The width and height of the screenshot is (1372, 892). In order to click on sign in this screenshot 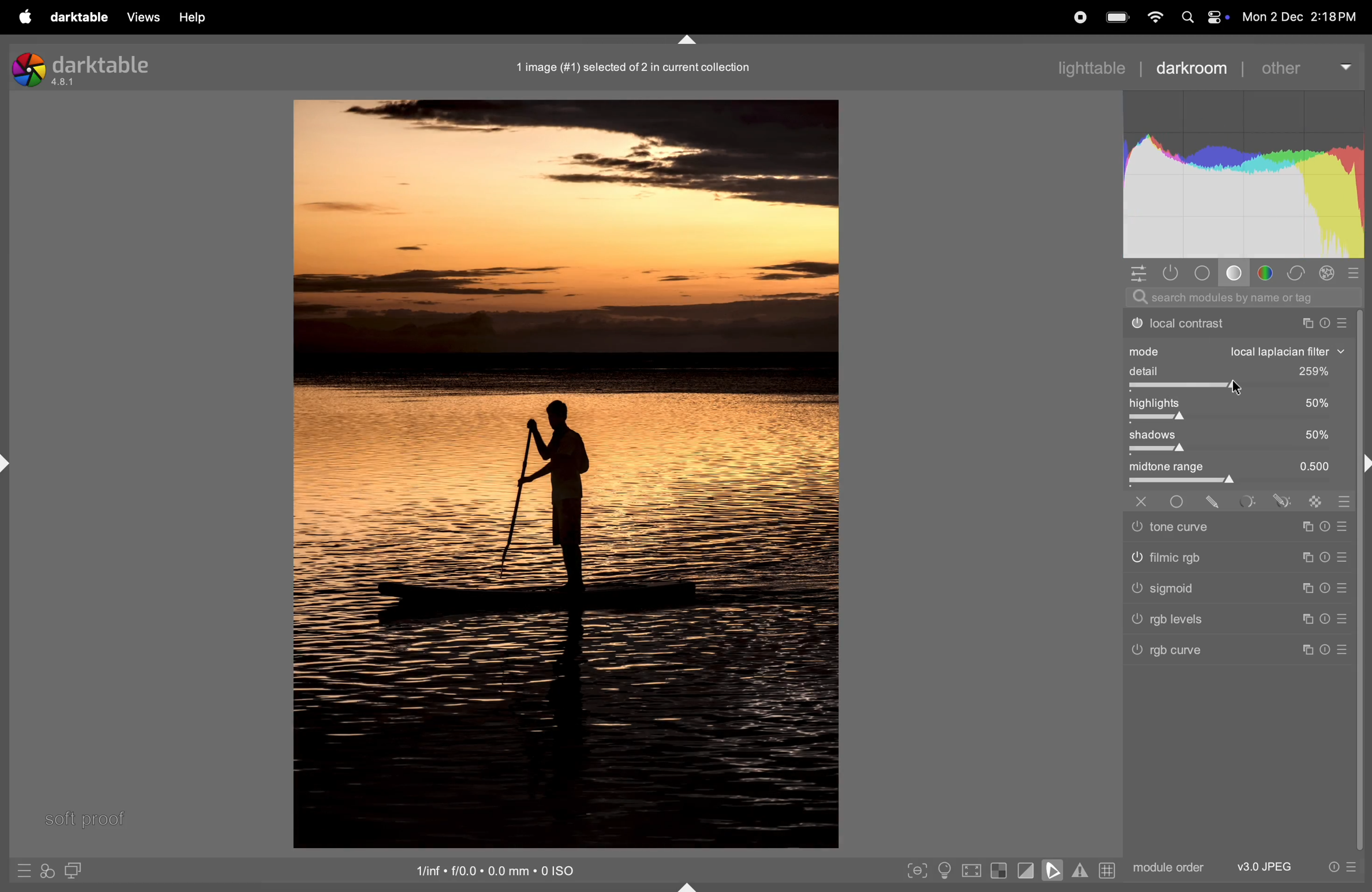, I will do `click(1344, 504)`.